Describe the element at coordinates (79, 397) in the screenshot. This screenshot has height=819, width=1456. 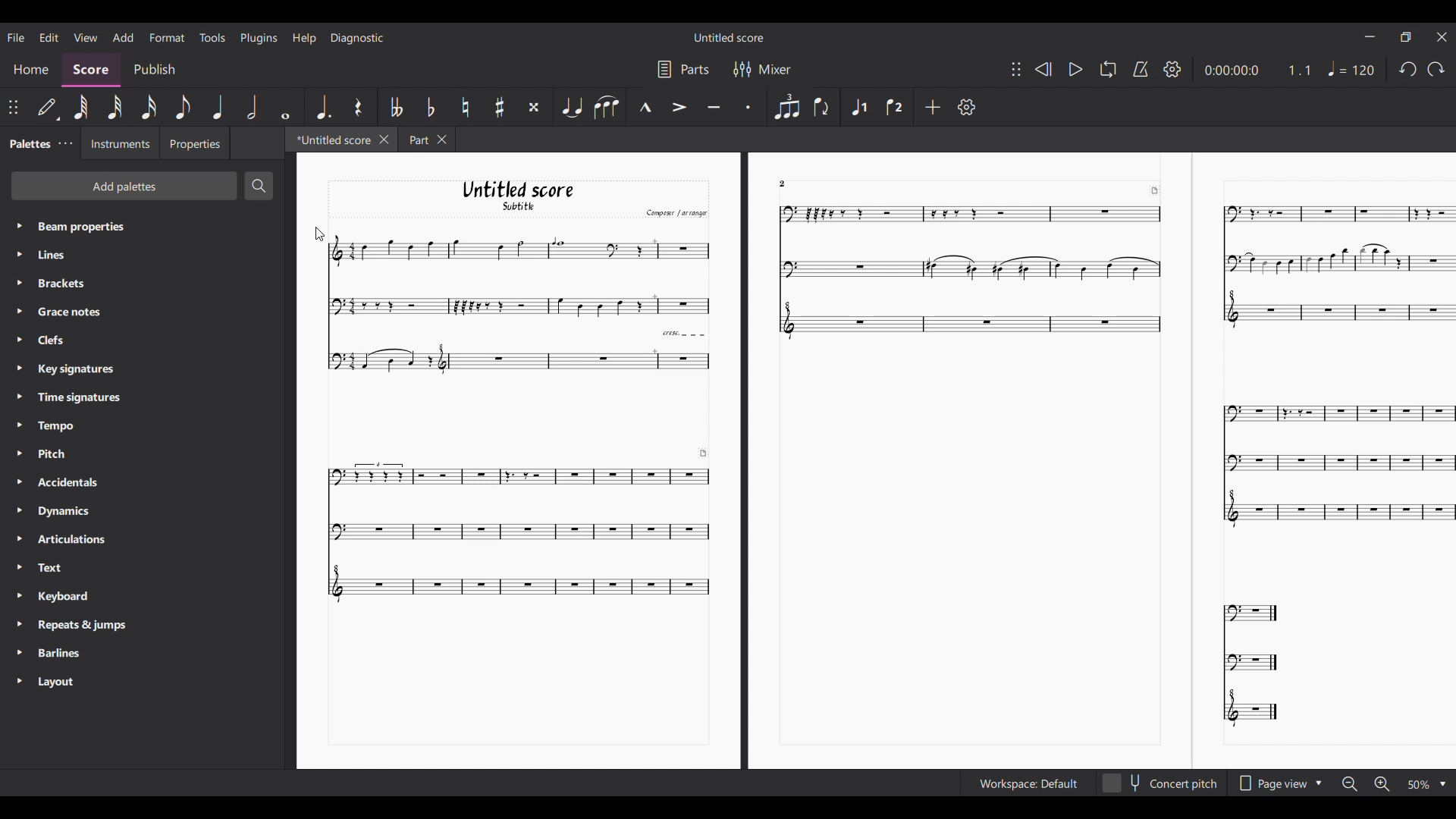
I see `Time Signatures` at that location.